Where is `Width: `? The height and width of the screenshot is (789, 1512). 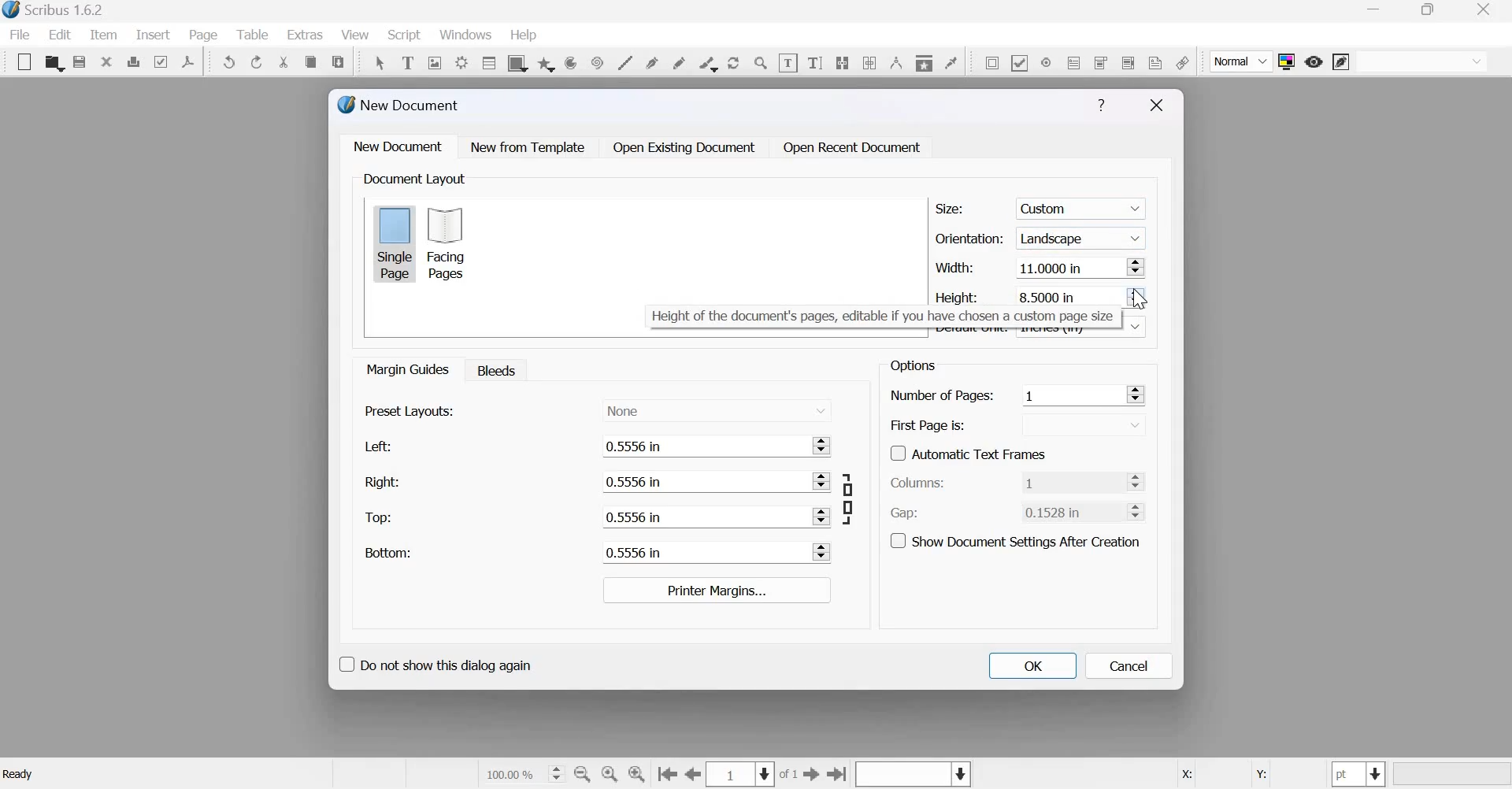 Width:  is located at coordinates (954, 267).